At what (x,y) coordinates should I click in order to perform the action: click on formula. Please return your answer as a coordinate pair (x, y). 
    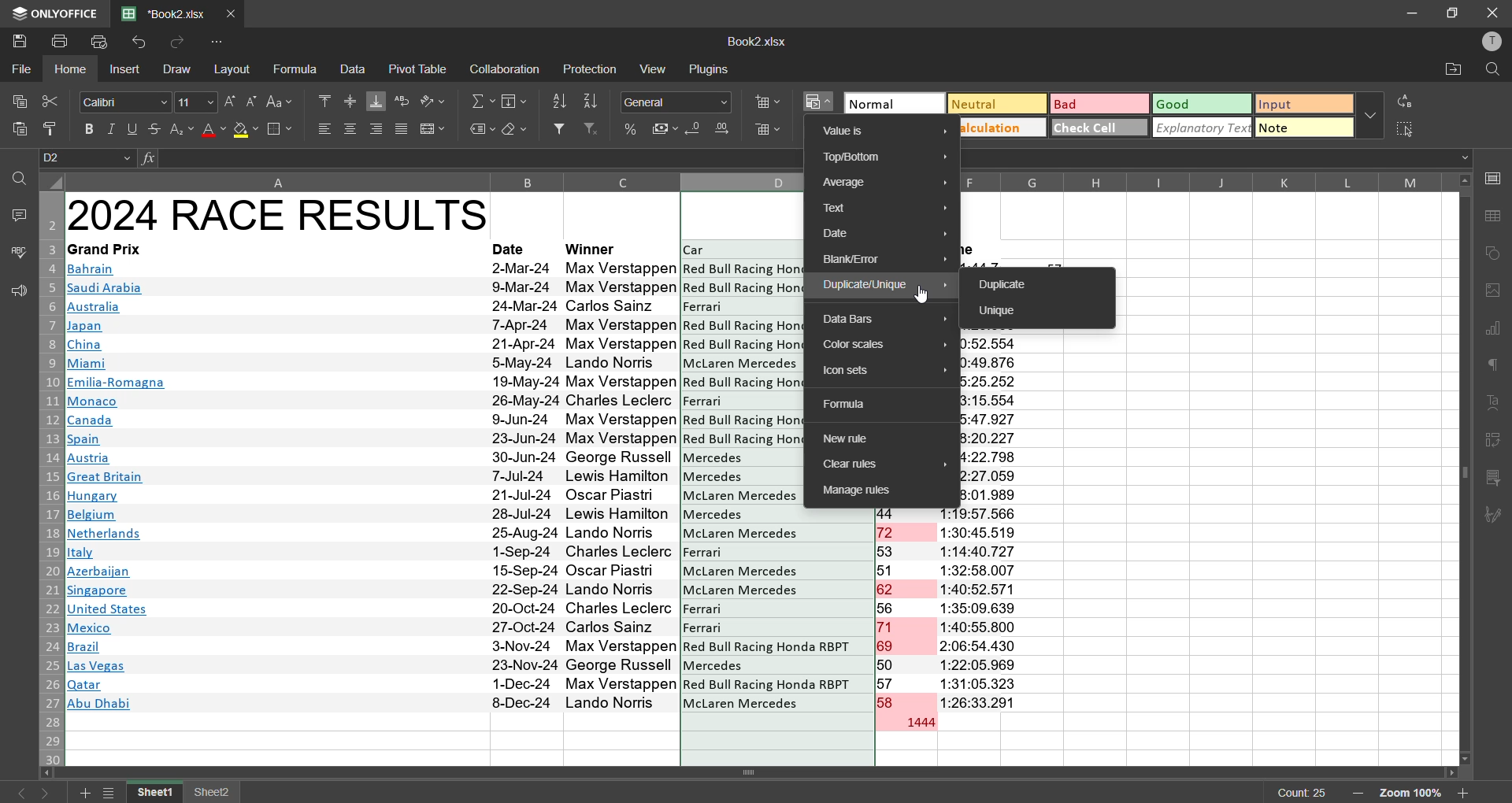
    Looking at the image, I should click on (298, 69).